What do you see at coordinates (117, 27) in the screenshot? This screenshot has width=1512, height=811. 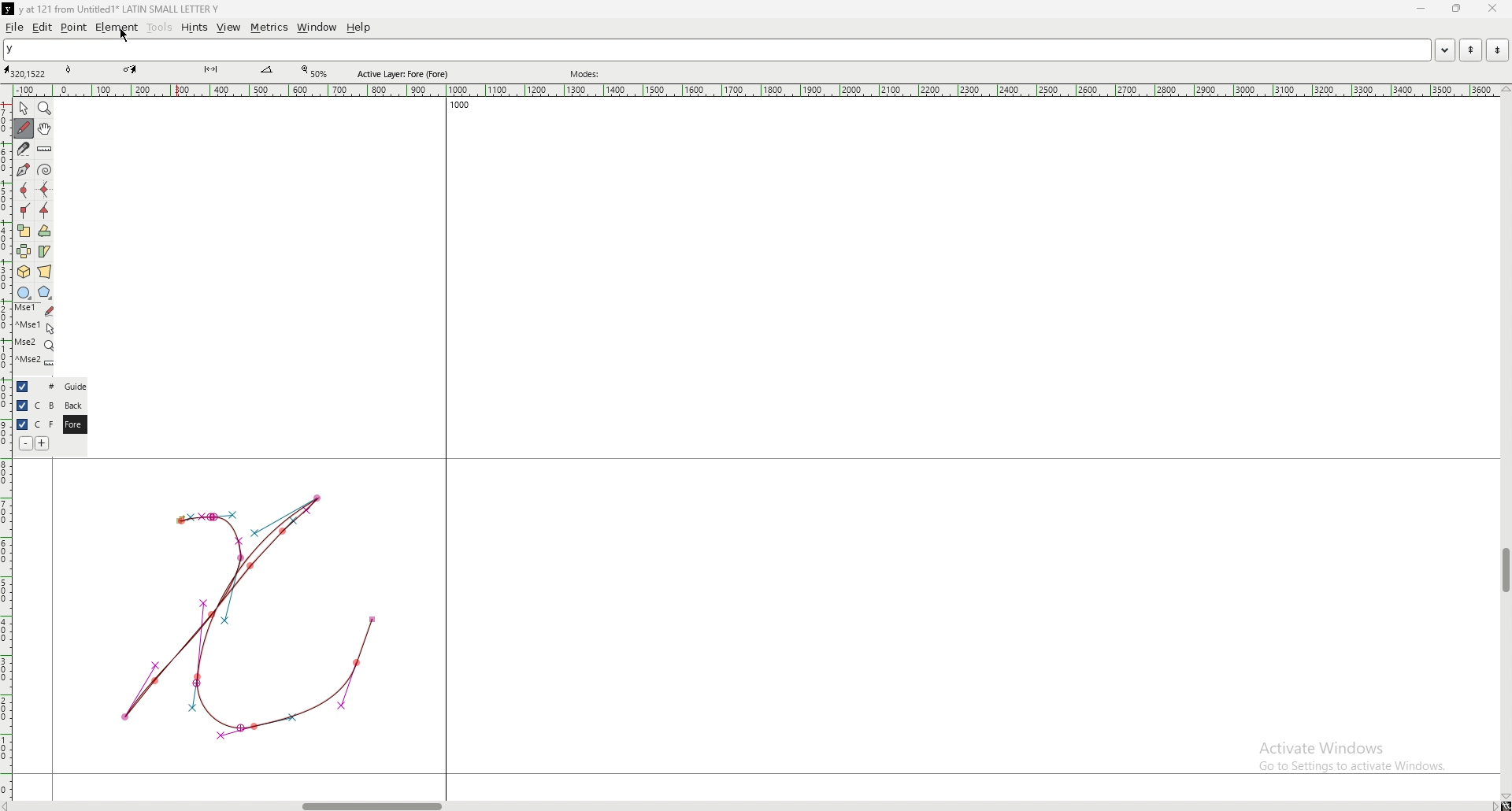 I see `element` at bounding box center [117, 27].